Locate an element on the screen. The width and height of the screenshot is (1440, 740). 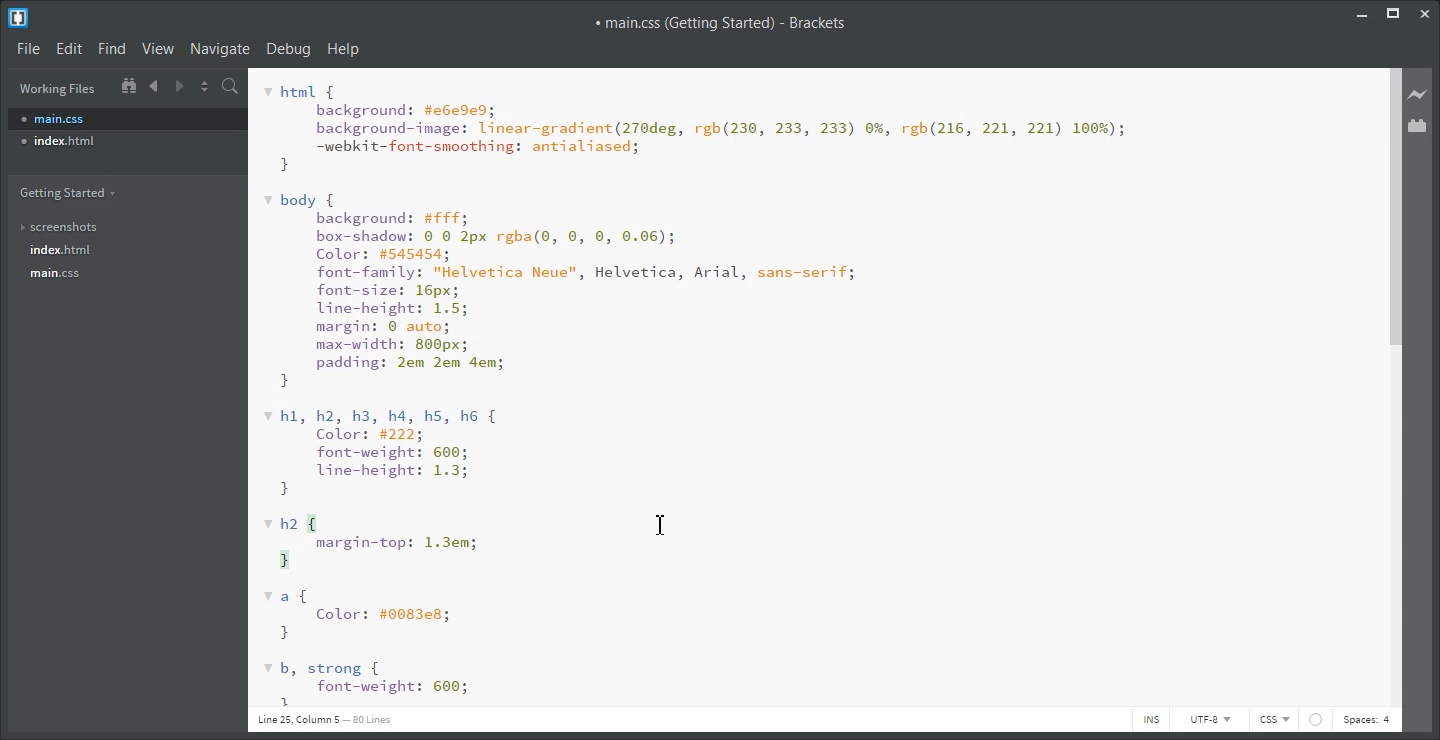
main.css is located at coordinates (127, 118).